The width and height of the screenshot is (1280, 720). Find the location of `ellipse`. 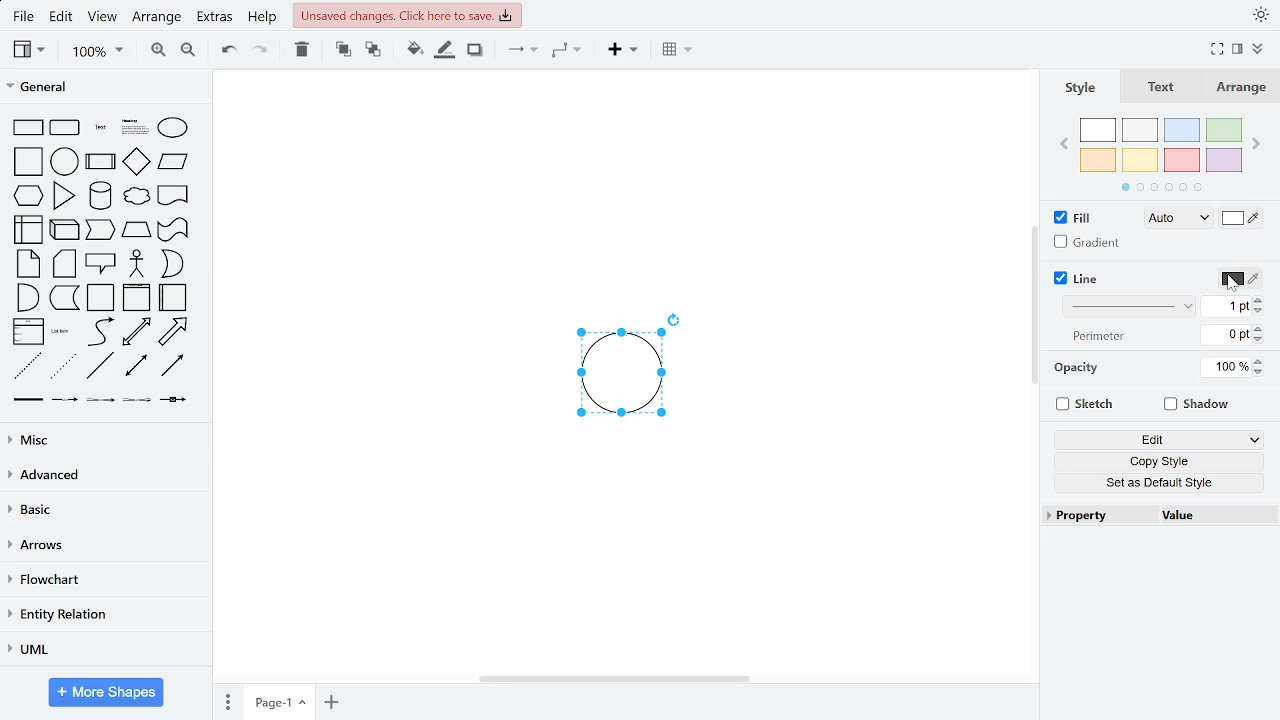

ellipse is located at coordinates (174, 127).